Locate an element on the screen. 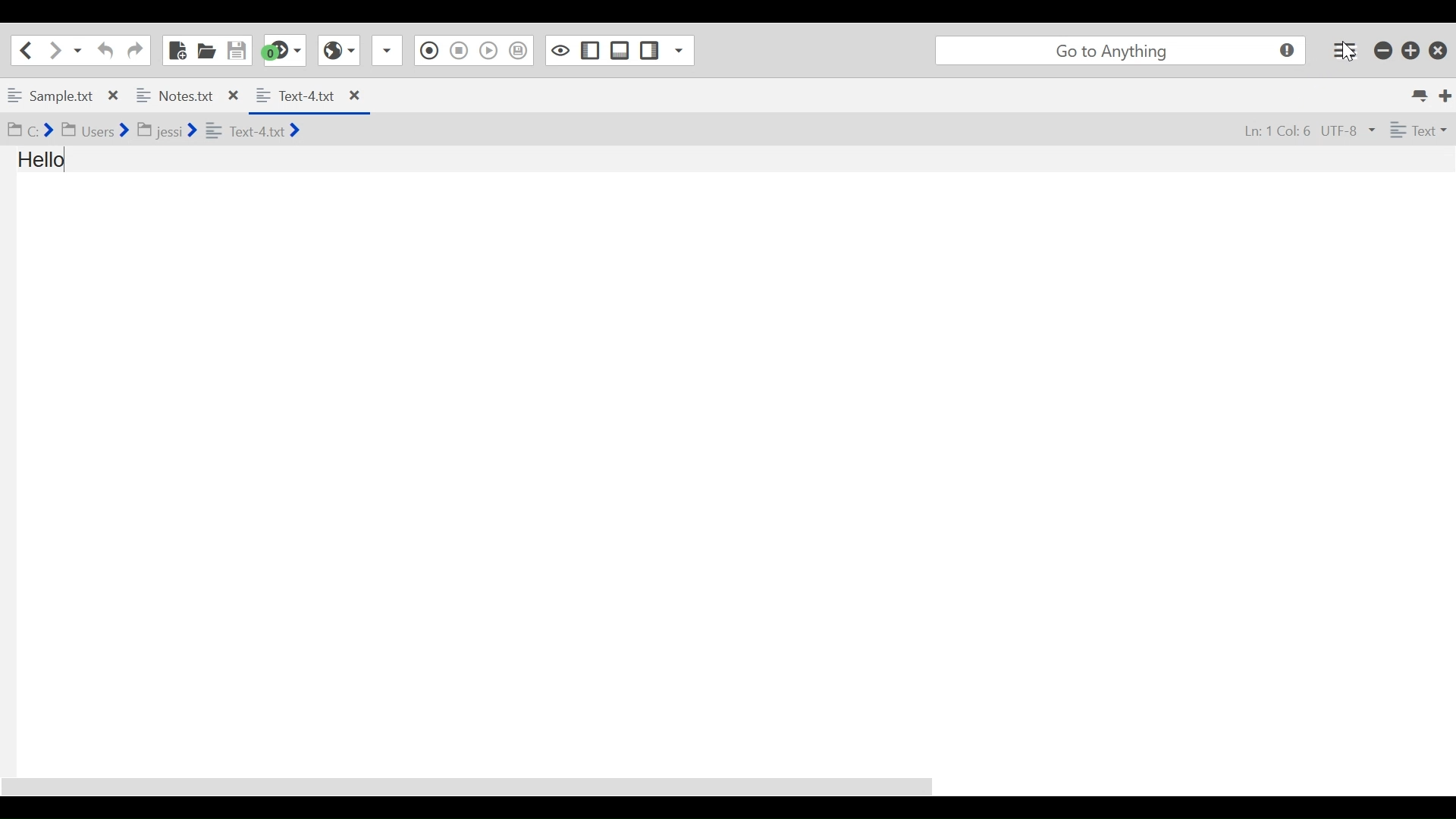 The image size is (1456, 819). View in Browser is located at coordinates (339, 50).